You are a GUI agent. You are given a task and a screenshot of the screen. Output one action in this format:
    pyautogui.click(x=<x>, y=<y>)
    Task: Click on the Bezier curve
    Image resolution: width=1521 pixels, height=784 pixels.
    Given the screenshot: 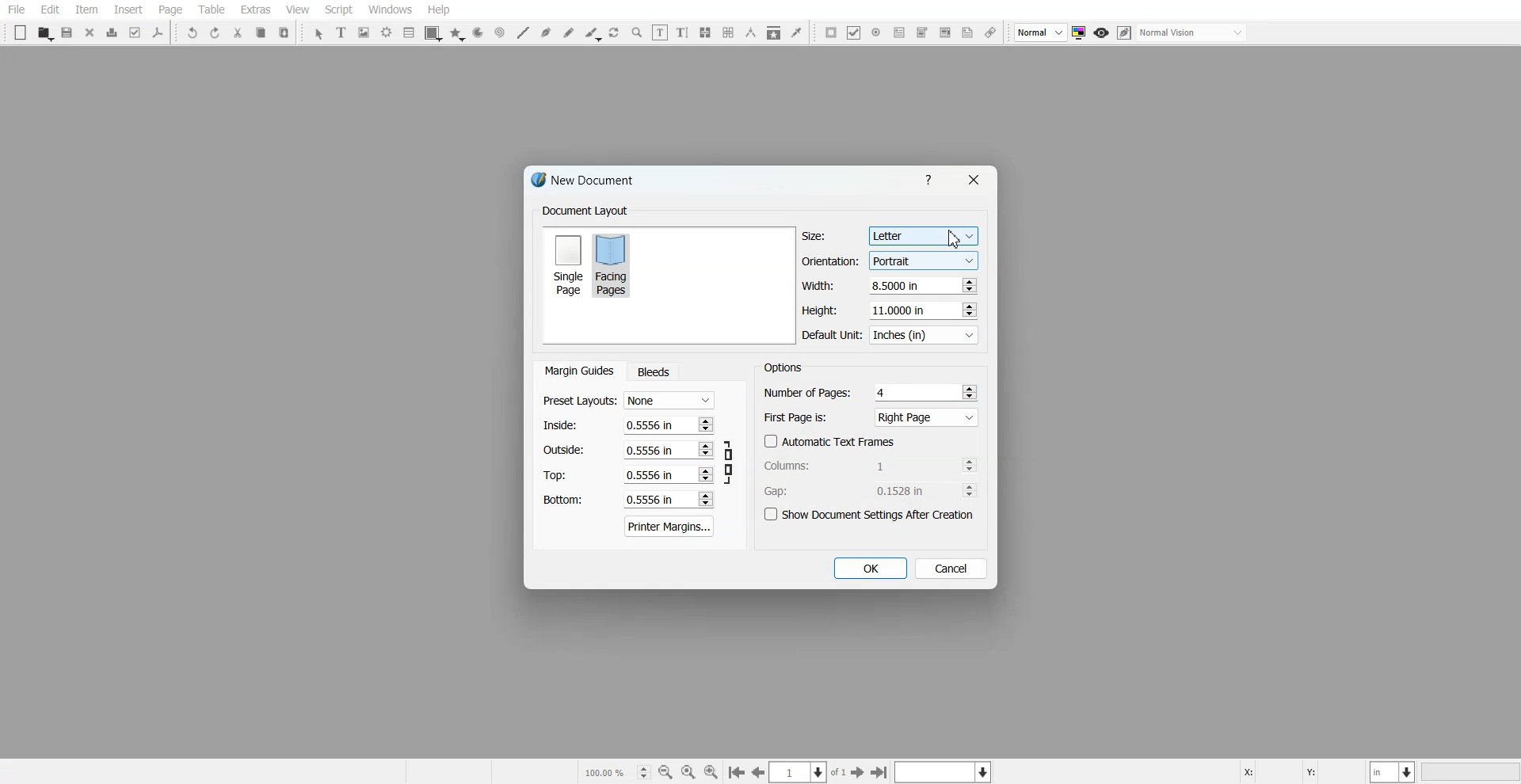 What is the action you would take?
    pyautogui.click(x=546, y=32)
    